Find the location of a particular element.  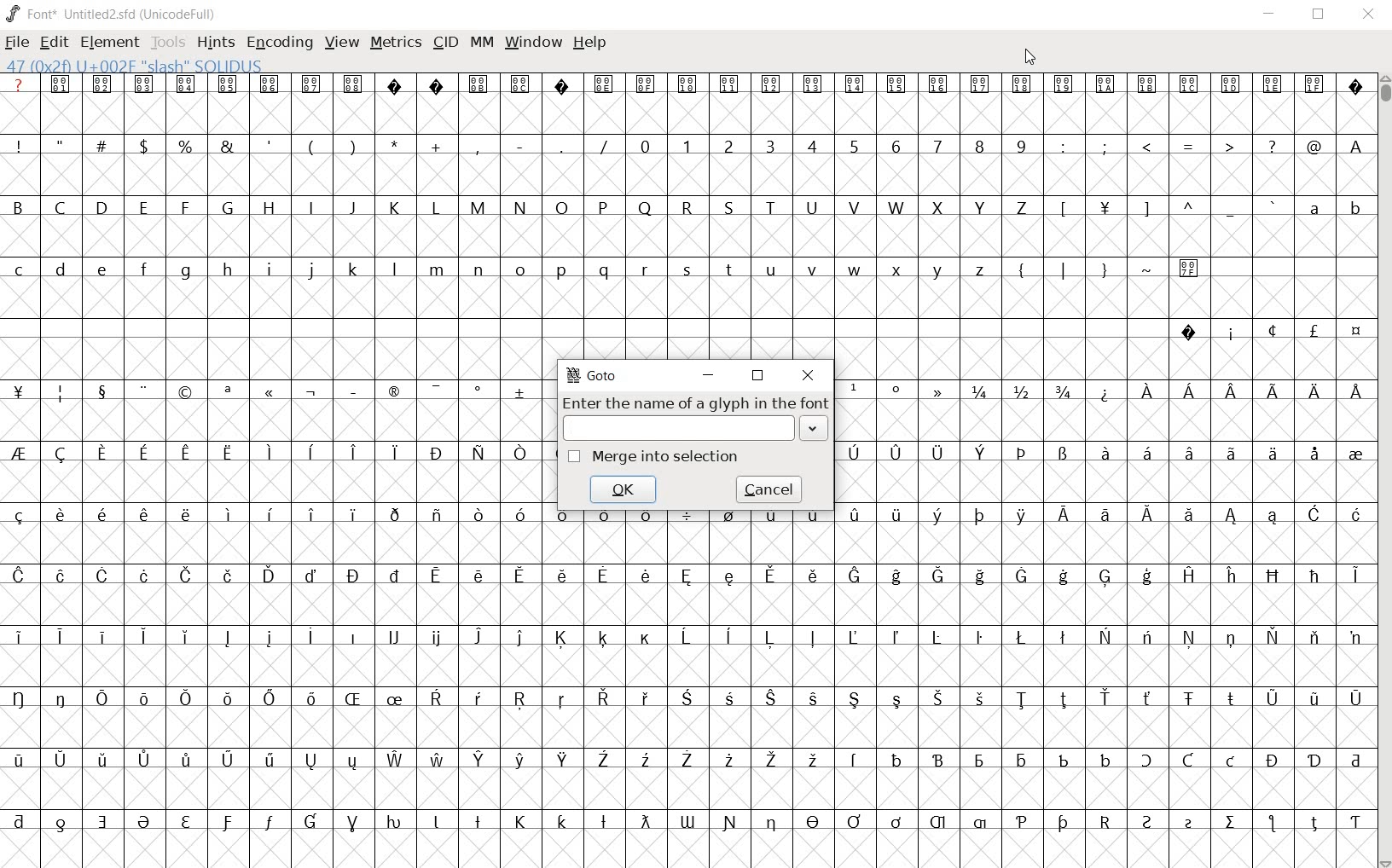

special letters is located at coordinates (684, 760).